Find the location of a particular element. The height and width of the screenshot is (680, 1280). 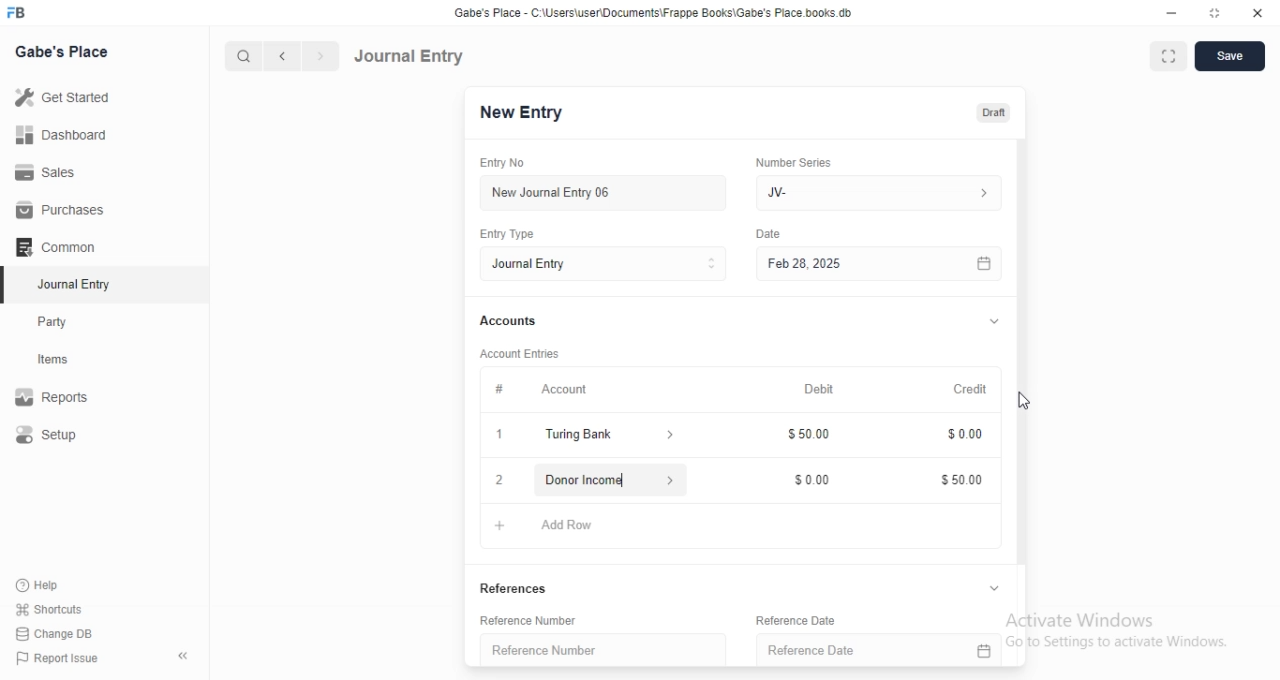

previous is located at coordinates (279, 56).